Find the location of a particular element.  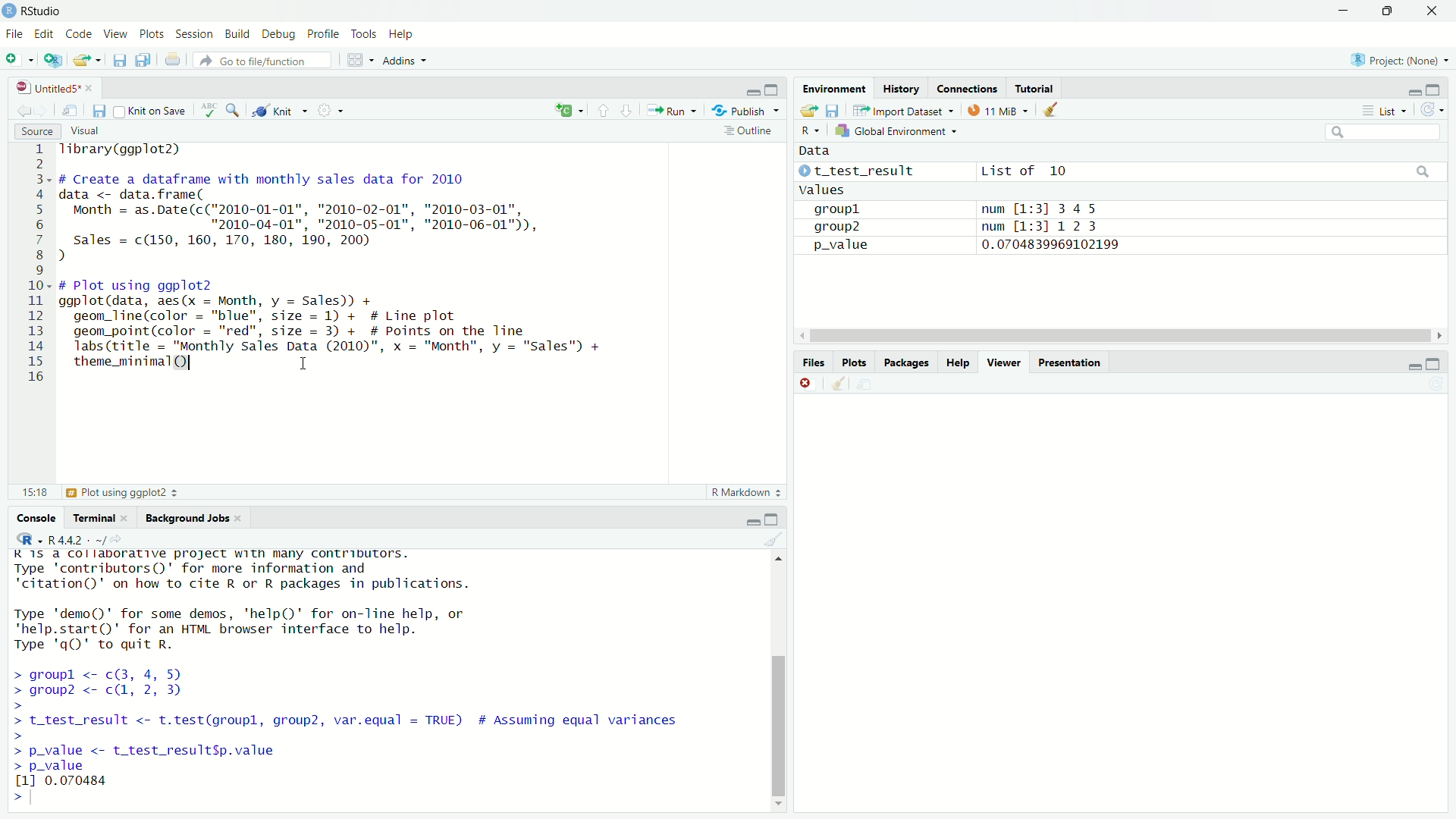

minimise is located at coordinates (1345, 11).